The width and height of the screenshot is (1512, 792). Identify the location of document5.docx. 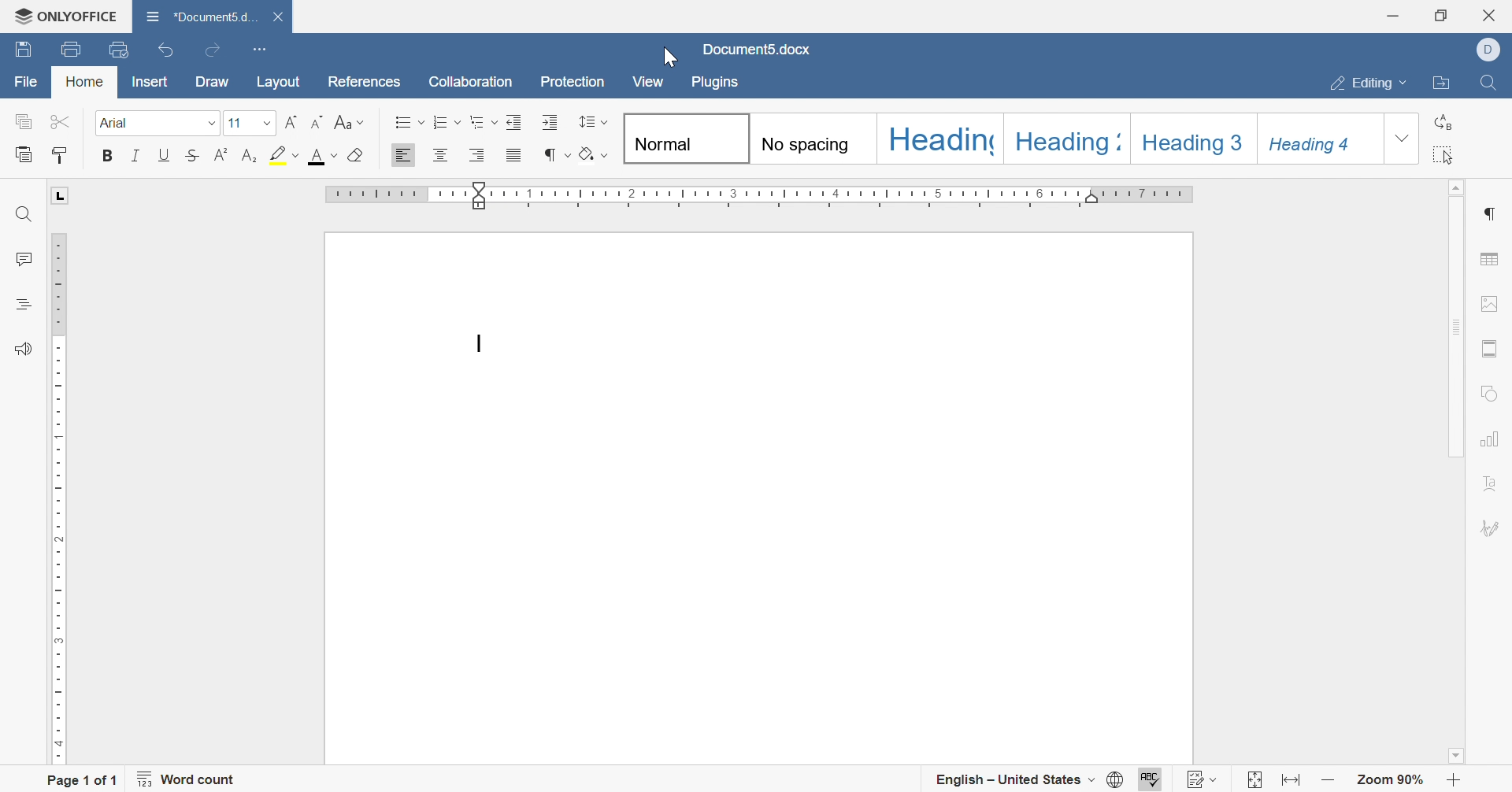
(196, 13).